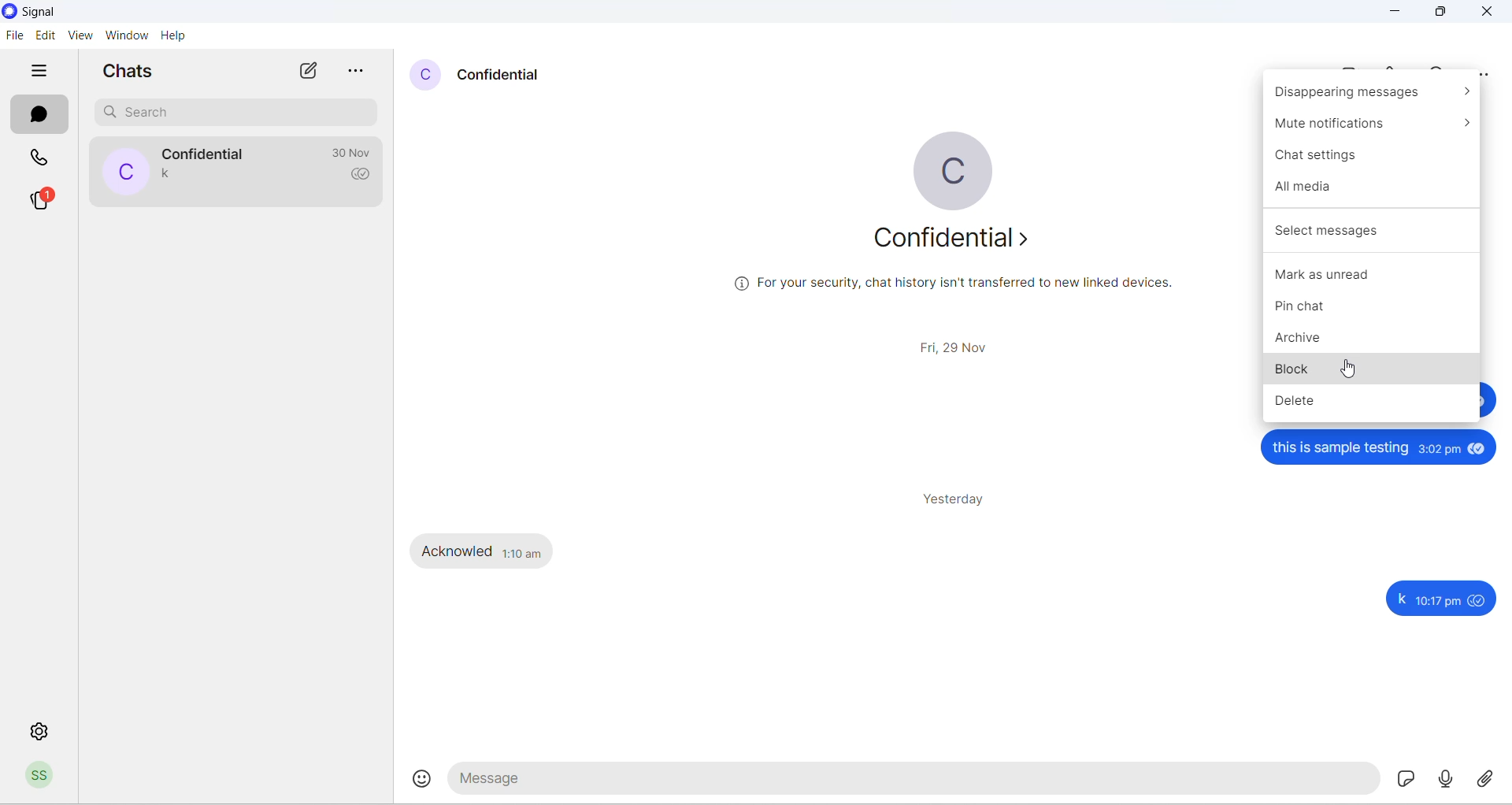  What do you see at coordinates (77, 35) in the screenshot?
I see `view` at bounding box center [77, 35].